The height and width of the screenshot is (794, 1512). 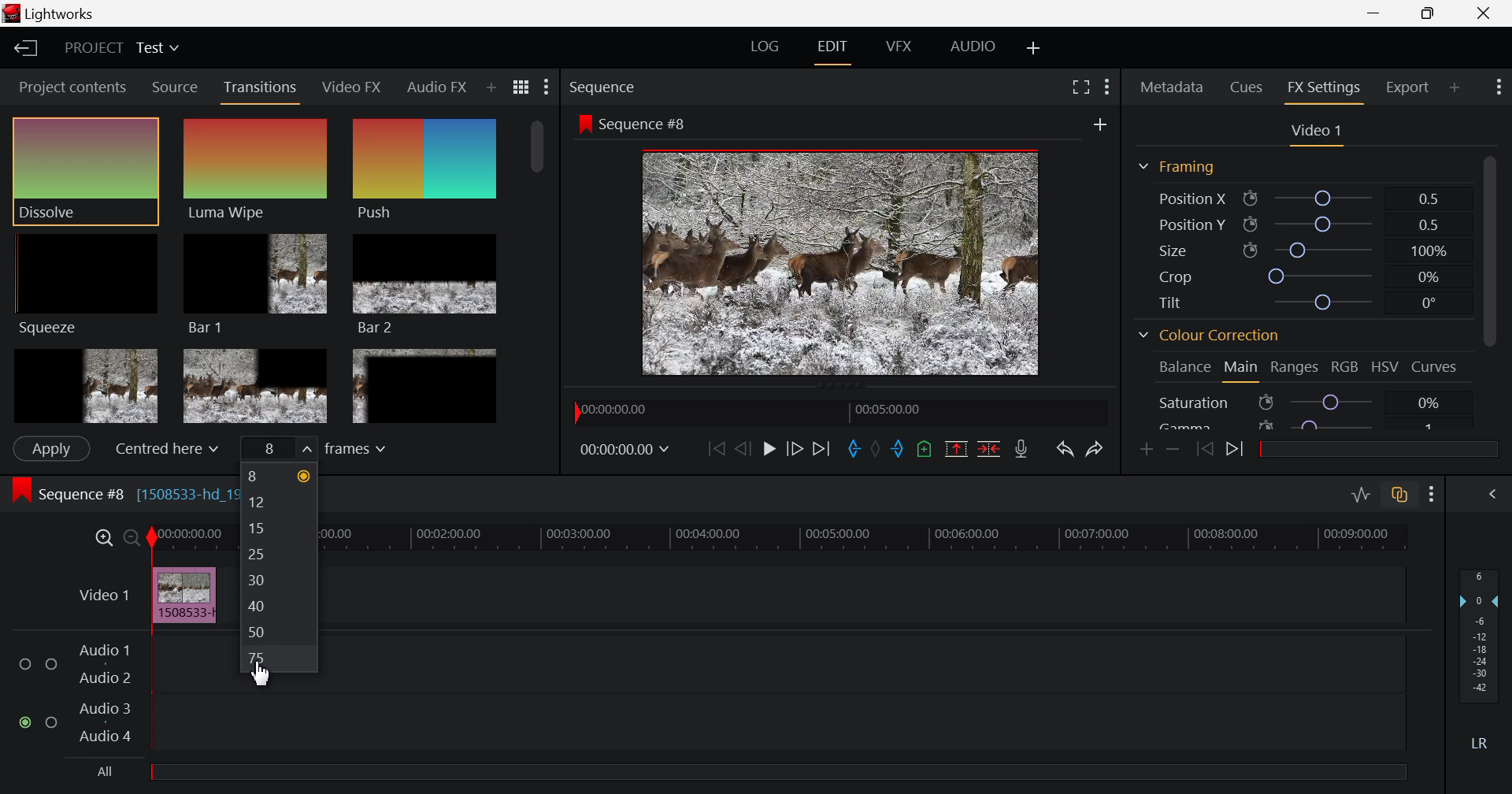 I want to click on To Start, so click(x=714, y=449).